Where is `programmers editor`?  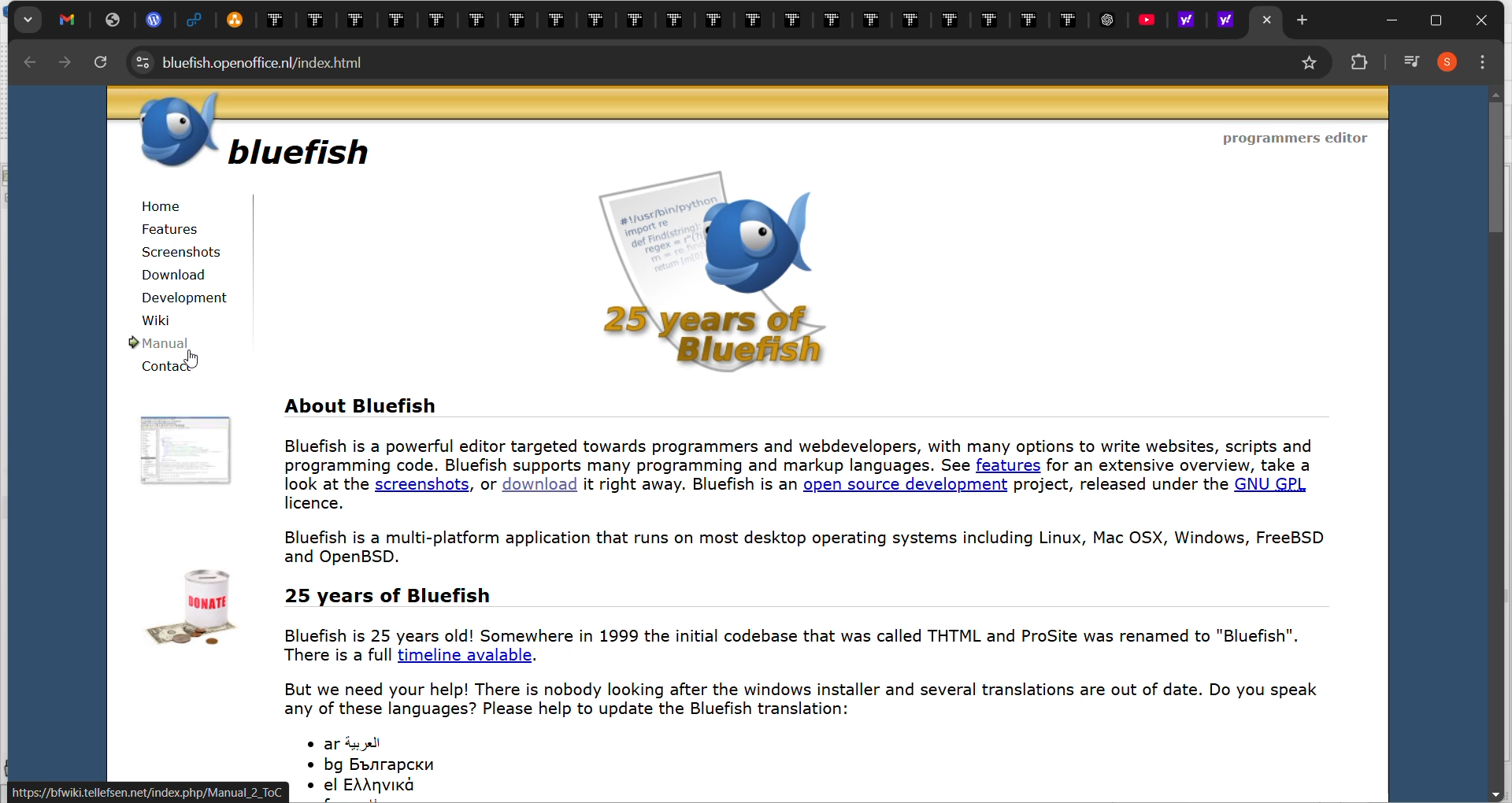 programmers editor is located at coordinates (1280, 142).